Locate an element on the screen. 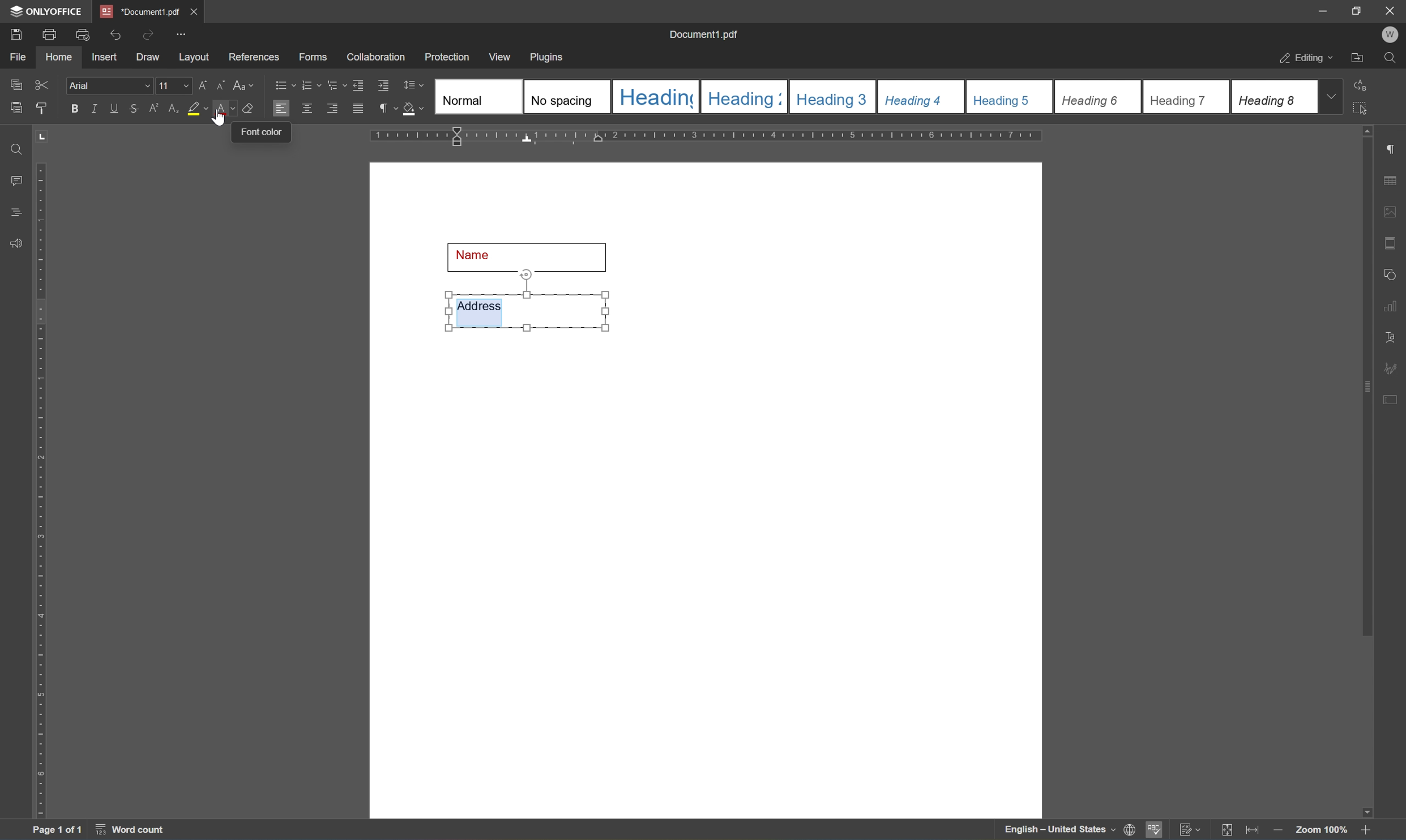 The height and width of the screenshot is (840, 1406). increment font size is located at coordinates (203, 84).